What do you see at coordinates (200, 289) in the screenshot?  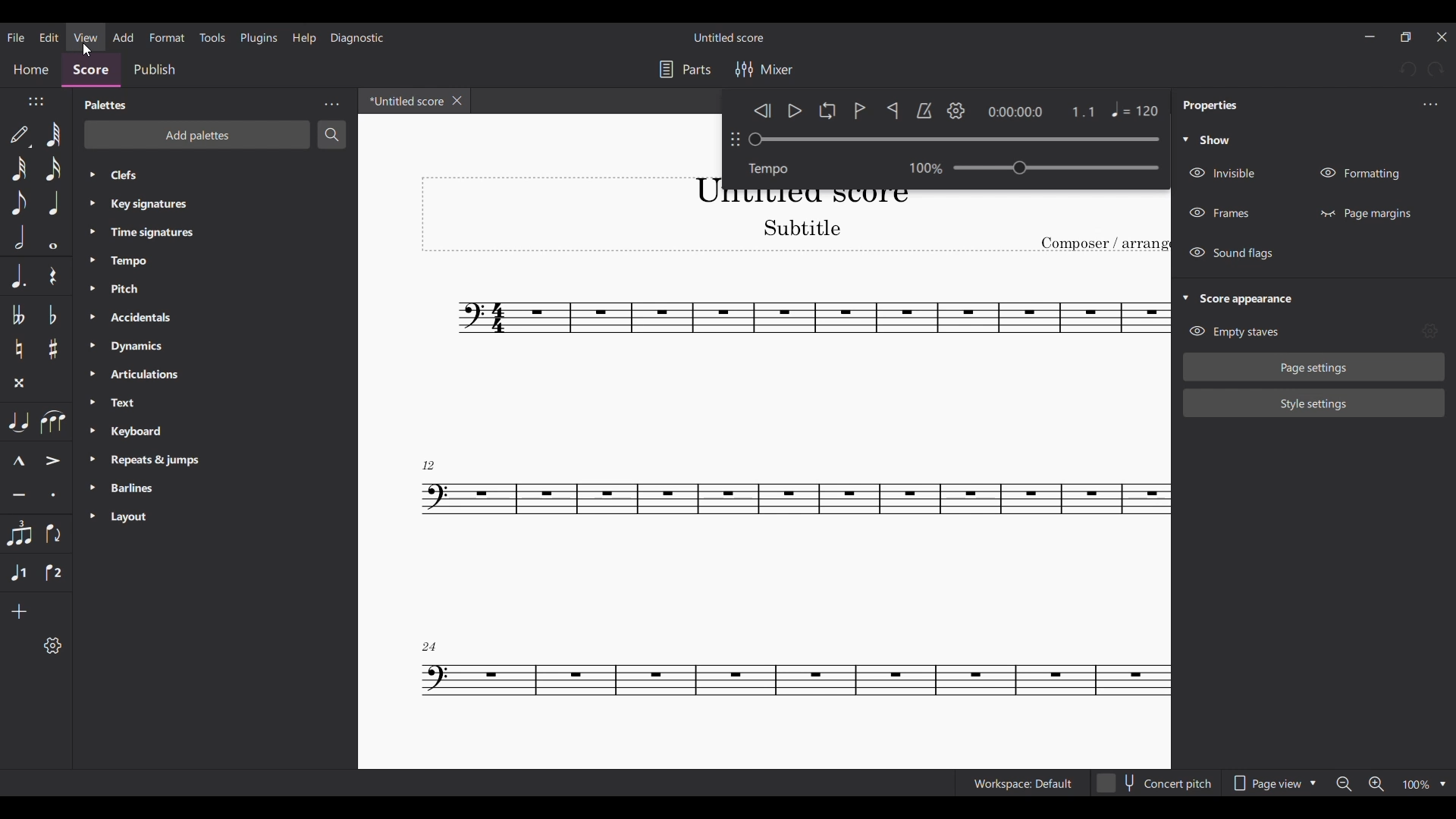 I see `Pitch` at bounding box center [200, 289].